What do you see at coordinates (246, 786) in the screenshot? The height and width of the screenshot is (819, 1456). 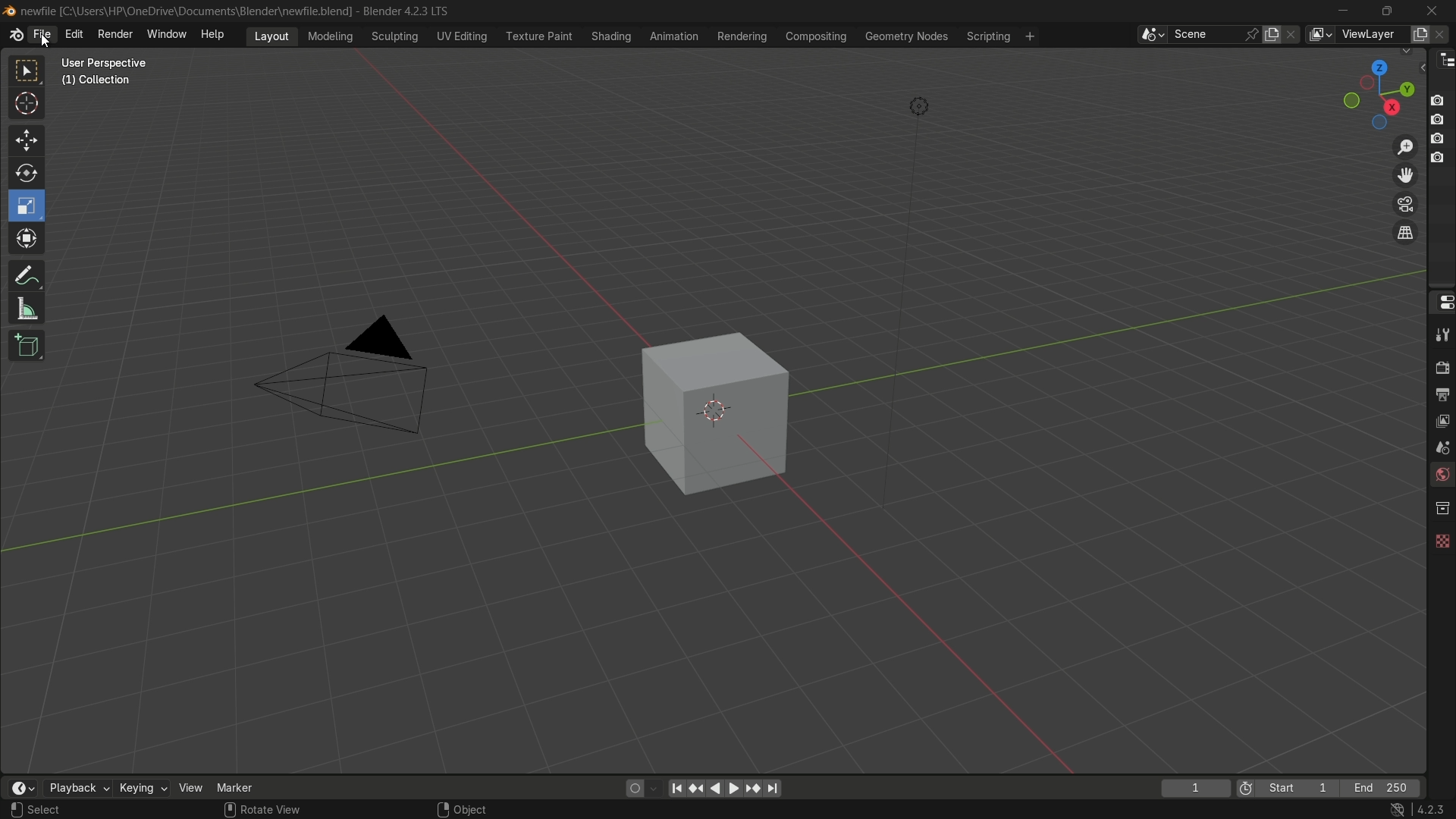 I see `marker` at bounding box center [246, 786].